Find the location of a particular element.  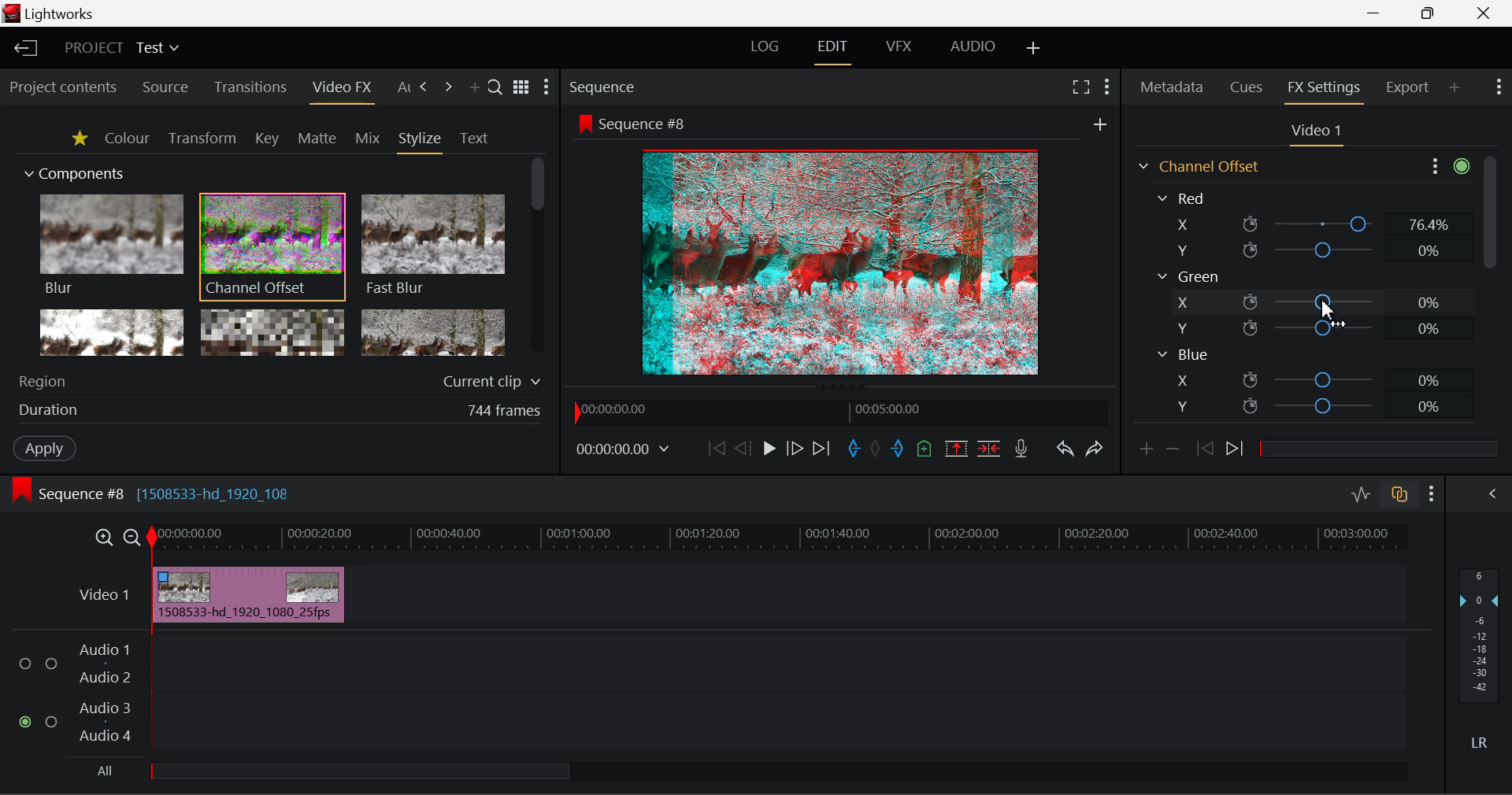

Preview Altered is located at coordinates (843, 260).